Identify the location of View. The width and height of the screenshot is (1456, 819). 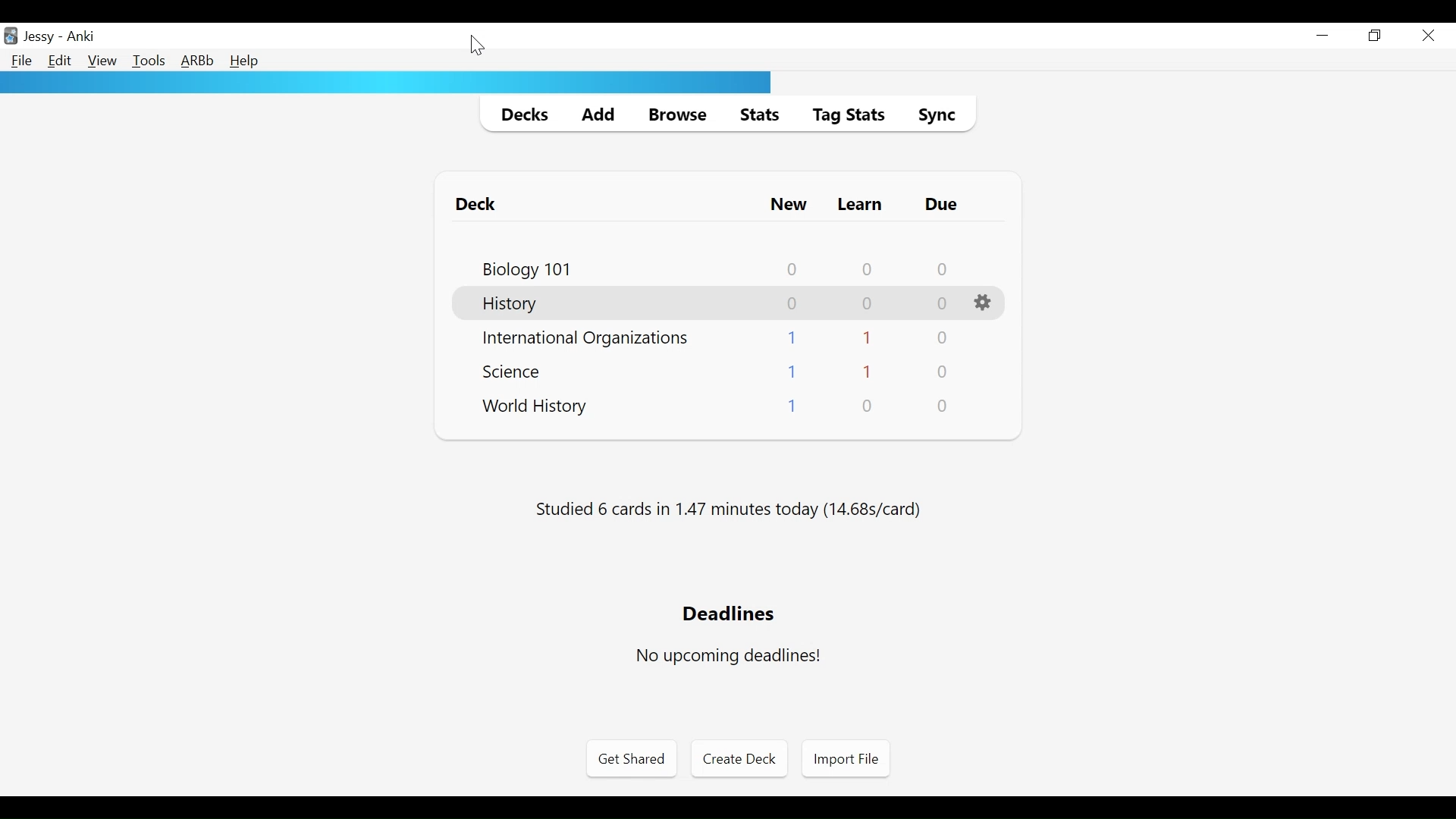
(102, 61).